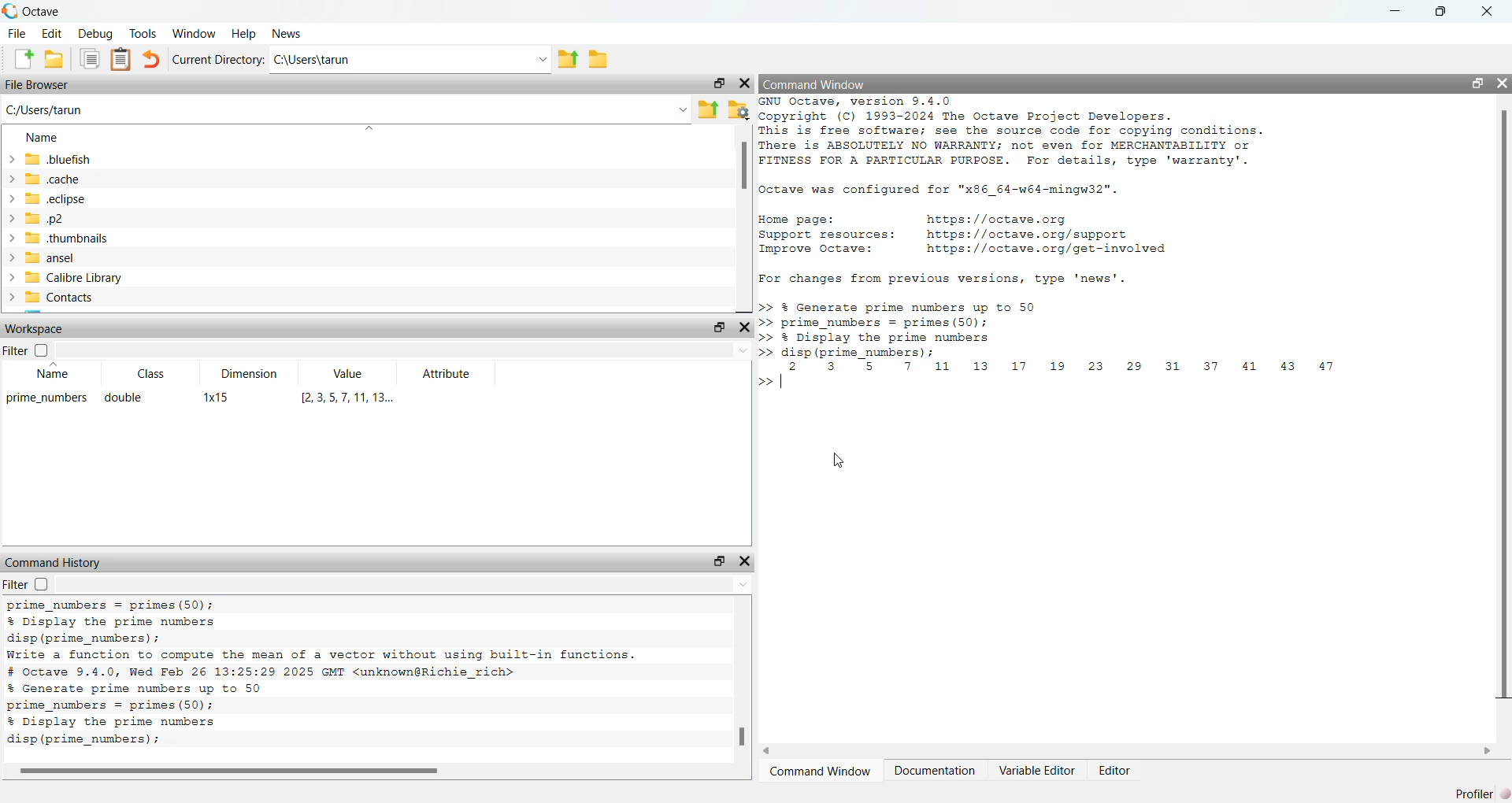 The height and width of the screenshot is (803, 1512). What do you see at coordinates (46, 218) in the screenshot?
I see `.p2` at bounding box center [46, 218].